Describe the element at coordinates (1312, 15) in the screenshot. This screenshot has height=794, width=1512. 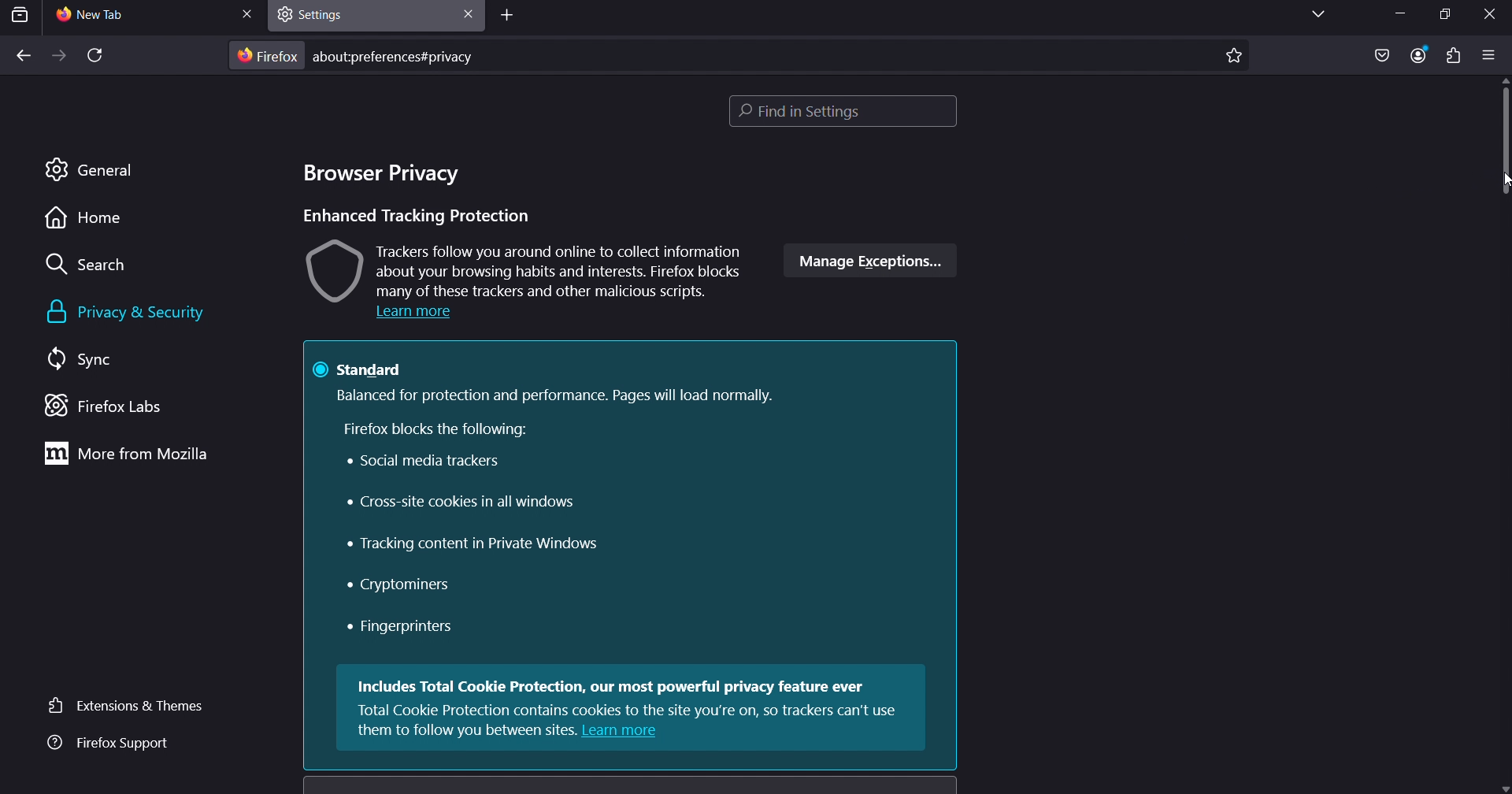
I see `list all tabs` at that location.